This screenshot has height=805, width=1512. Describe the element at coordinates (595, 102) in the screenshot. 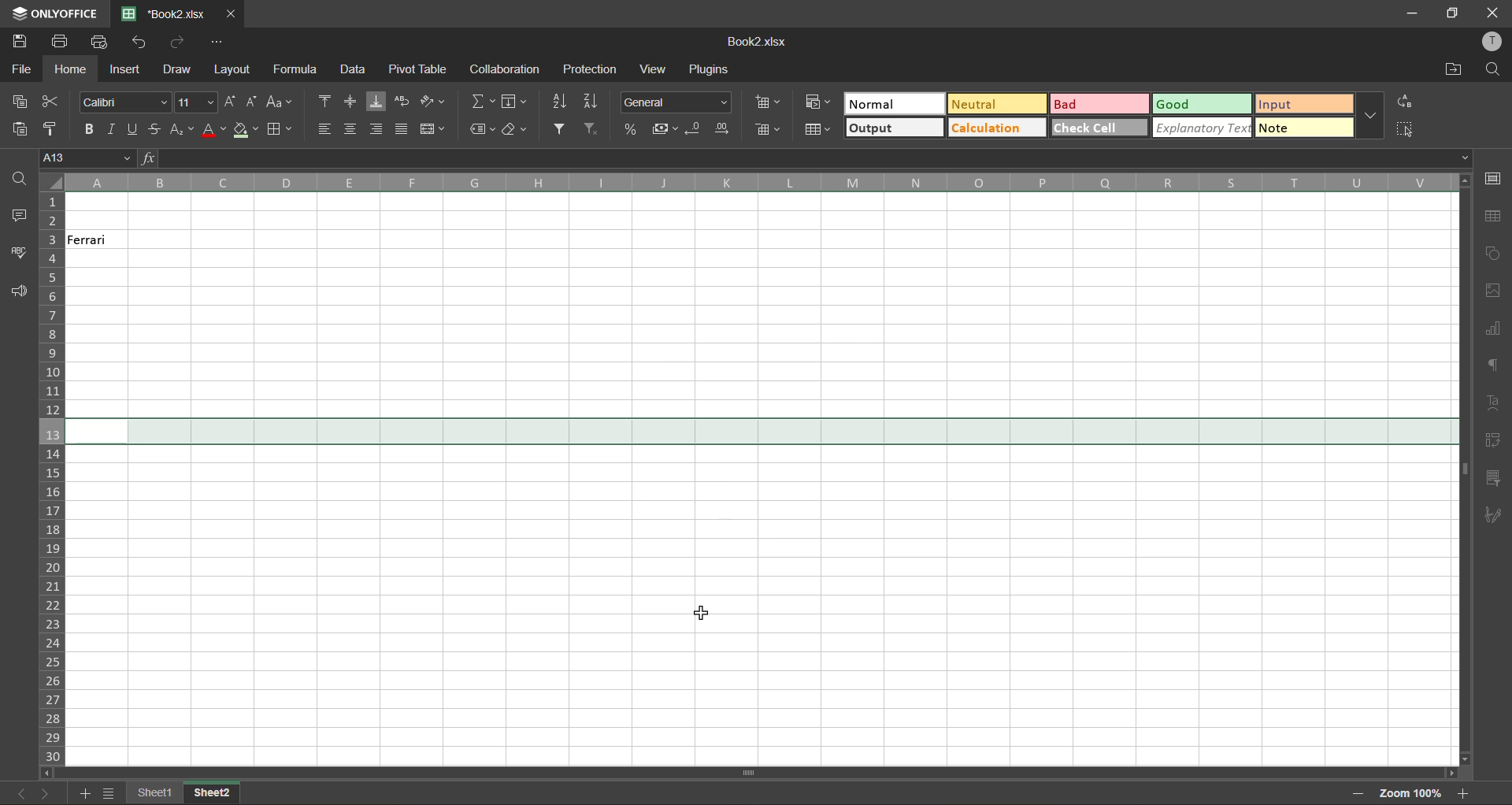

I see `sort descending` at that location.